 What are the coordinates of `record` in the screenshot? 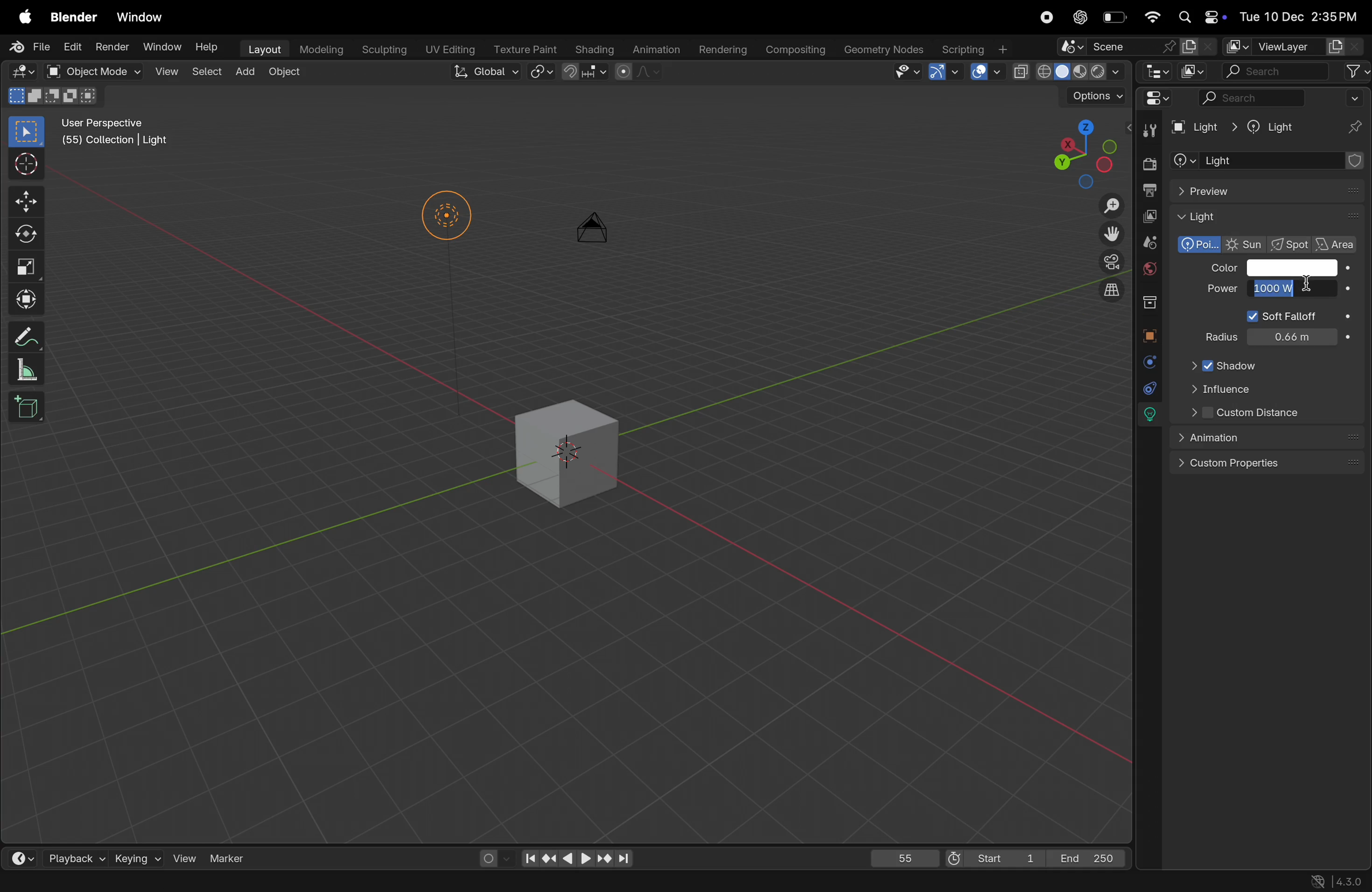 It's located at (1046, 17).